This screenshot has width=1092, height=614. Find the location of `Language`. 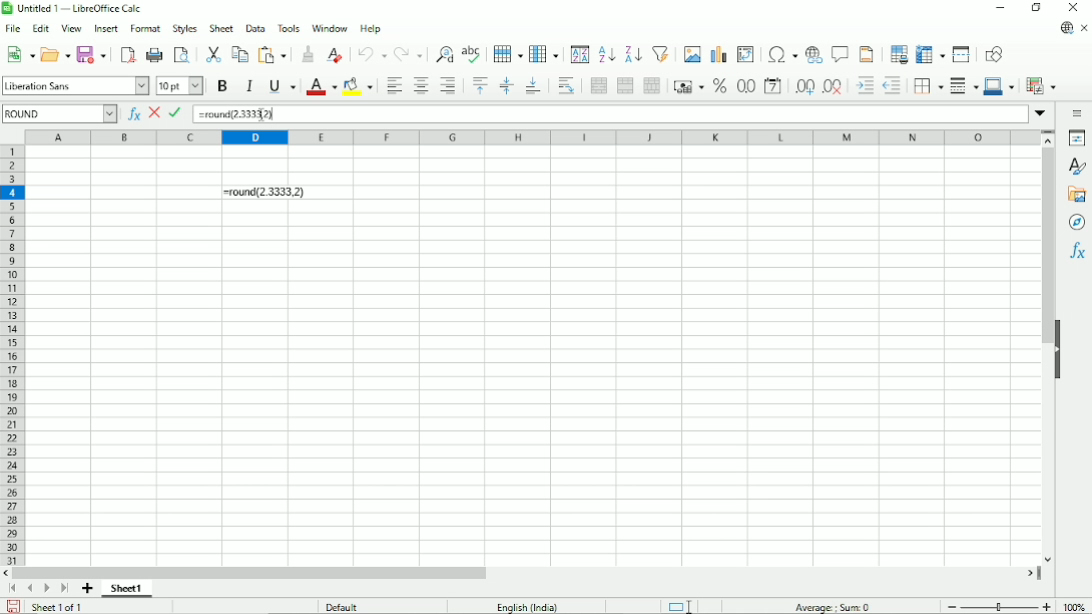

Language is located at coordinates (528, 606).